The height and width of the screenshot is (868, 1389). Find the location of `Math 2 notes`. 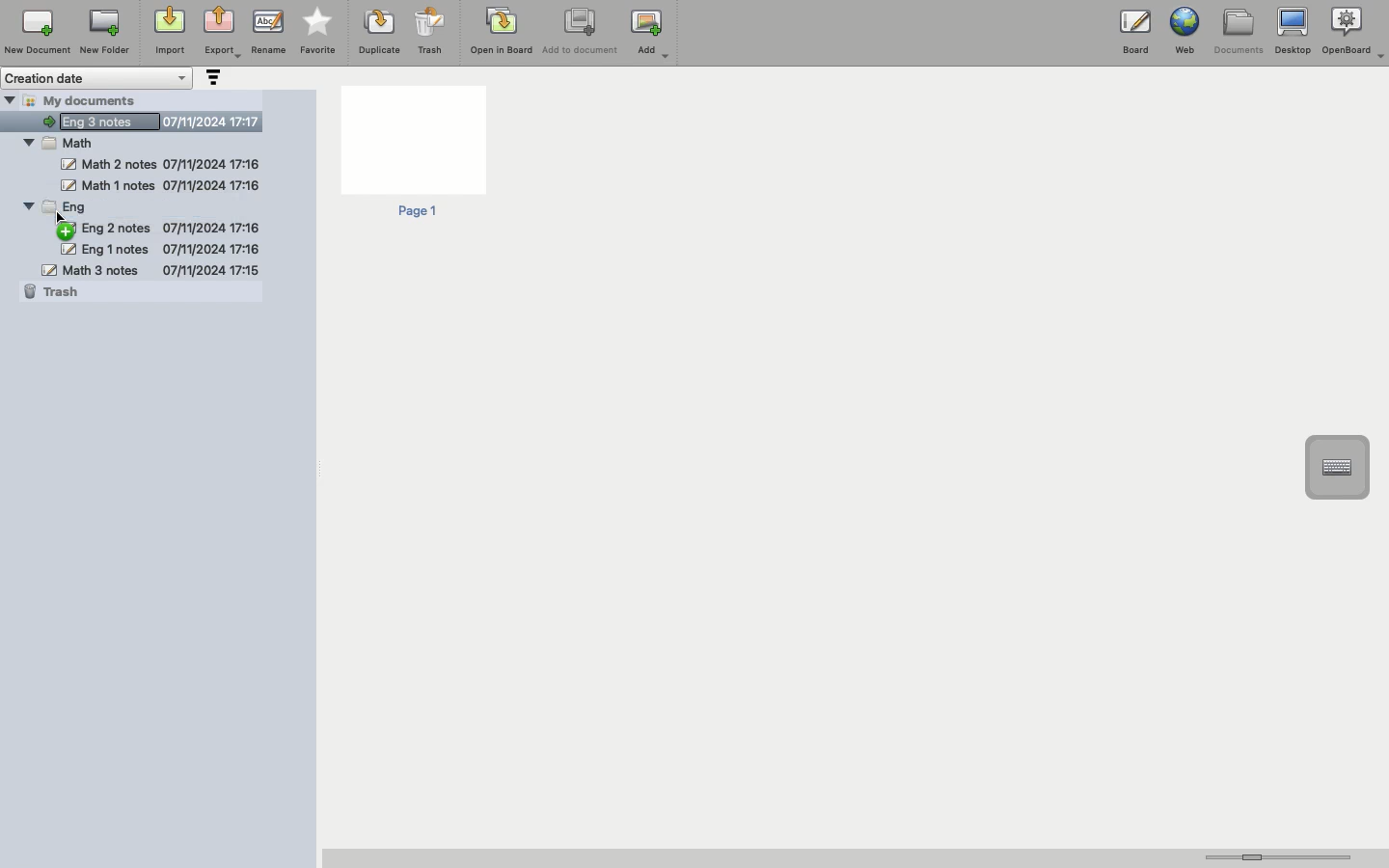

Math 2 notes is located at coordinates (162, 164).